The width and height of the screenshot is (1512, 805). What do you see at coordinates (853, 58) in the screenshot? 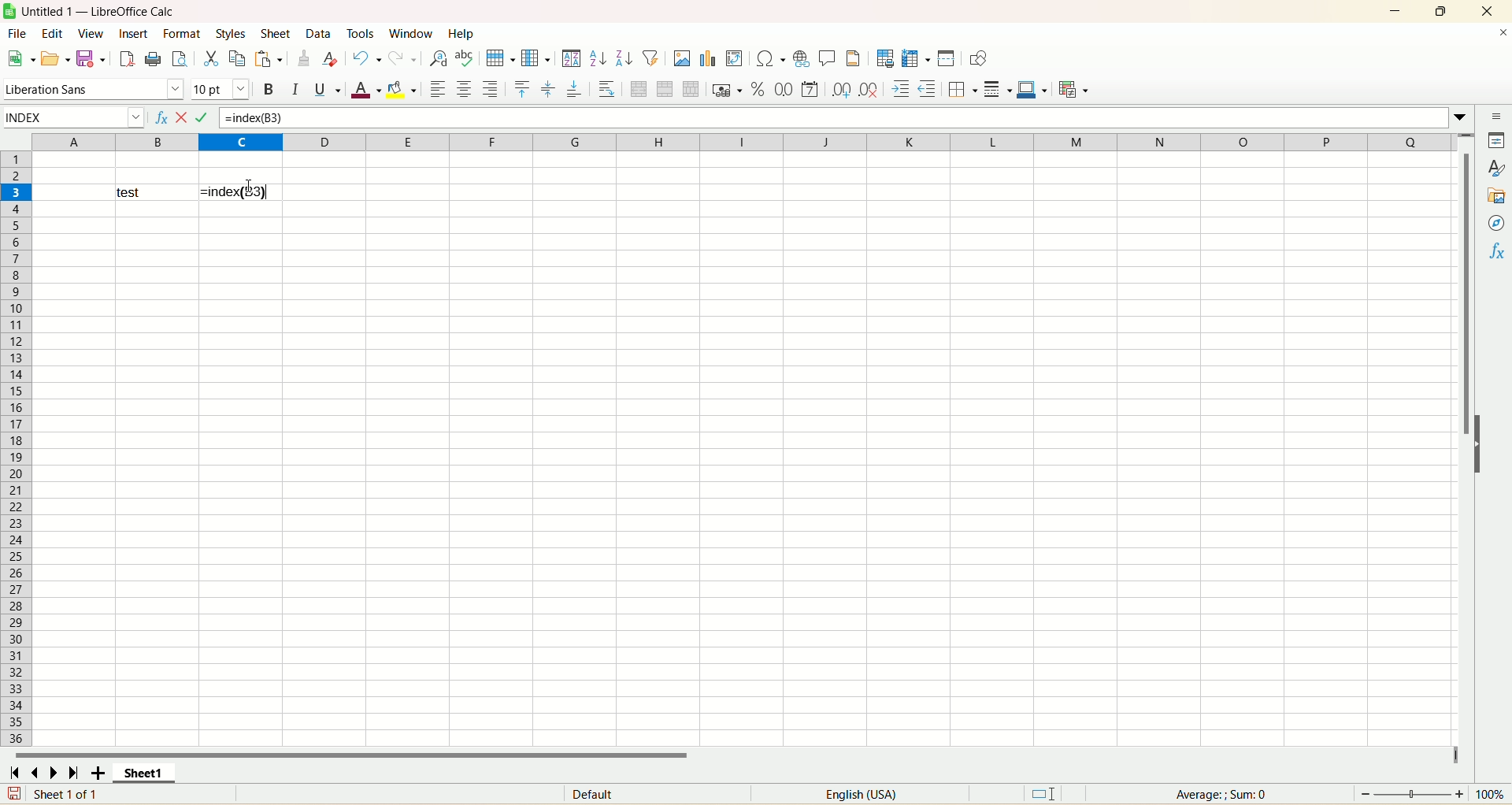
I see `Header and footer` at bounding box center [853, 58].